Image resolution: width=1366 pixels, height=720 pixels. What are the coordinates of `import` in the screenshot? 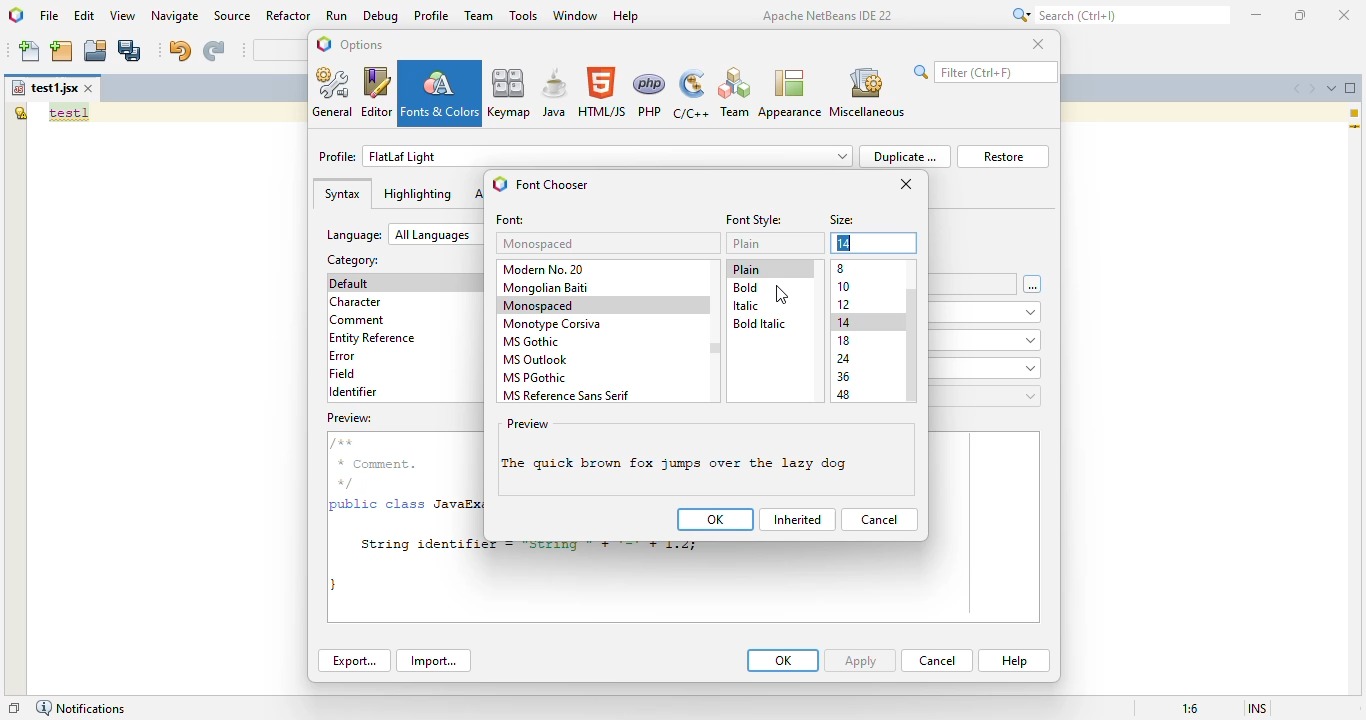 It's located at (435, 661).